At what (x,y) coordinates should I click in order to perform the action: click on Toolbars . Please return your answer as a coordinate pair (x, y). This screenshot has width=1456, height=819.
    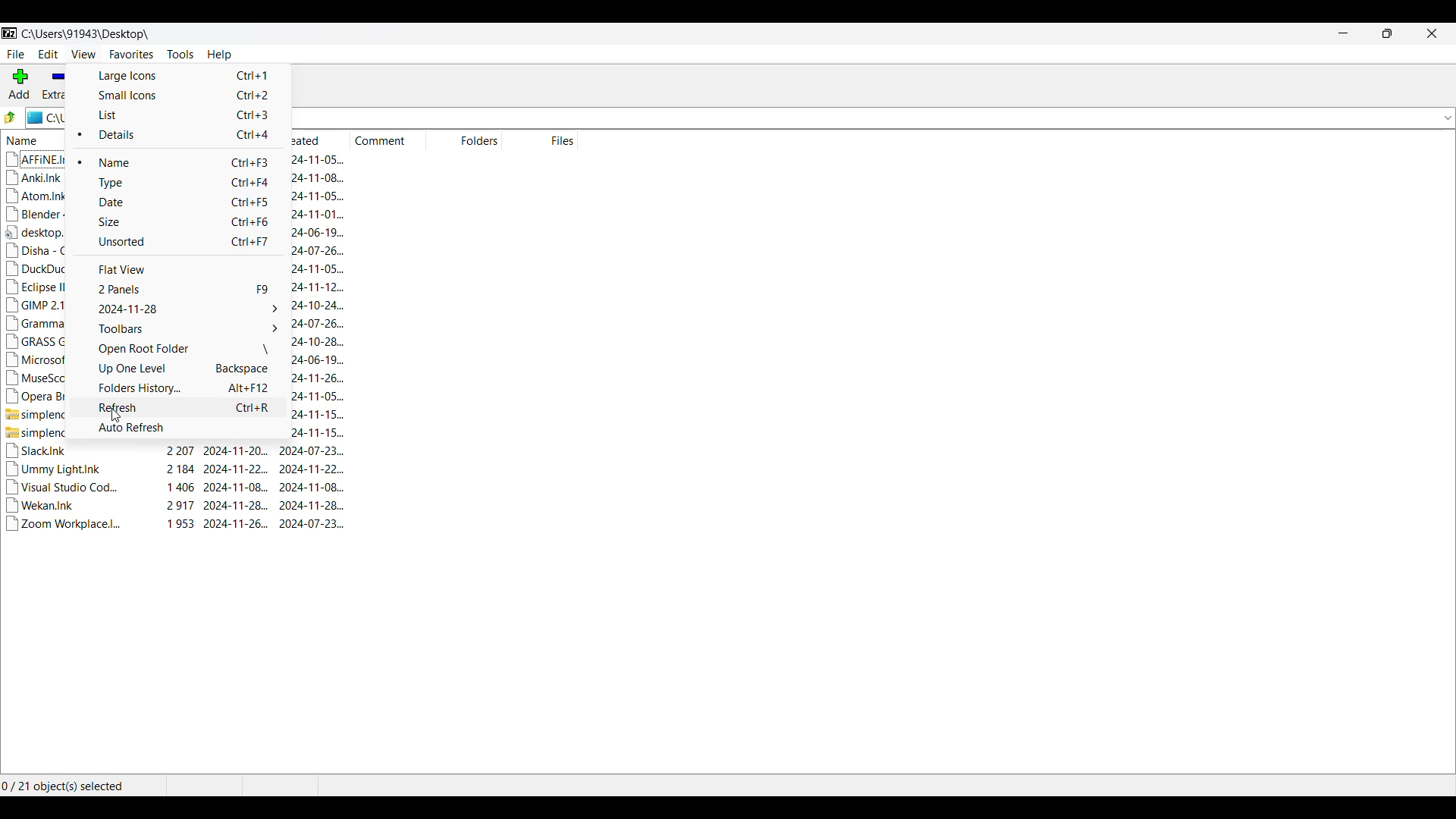
    Looking at the image, I should click on (176, 329).